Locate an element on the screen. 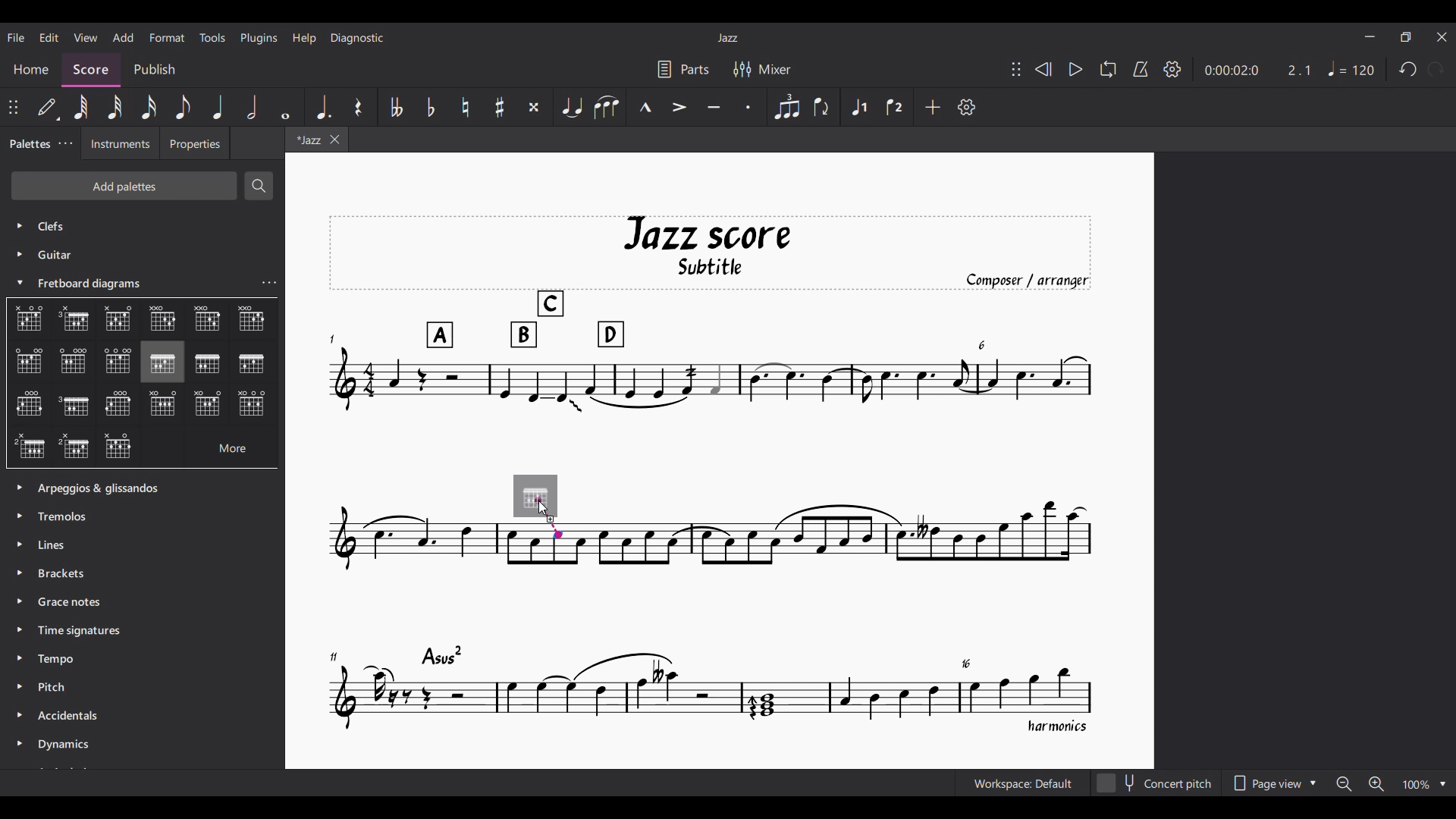 This screenshot has width=1456, height=819. Indicates addition is located at coordinates (551, 519).